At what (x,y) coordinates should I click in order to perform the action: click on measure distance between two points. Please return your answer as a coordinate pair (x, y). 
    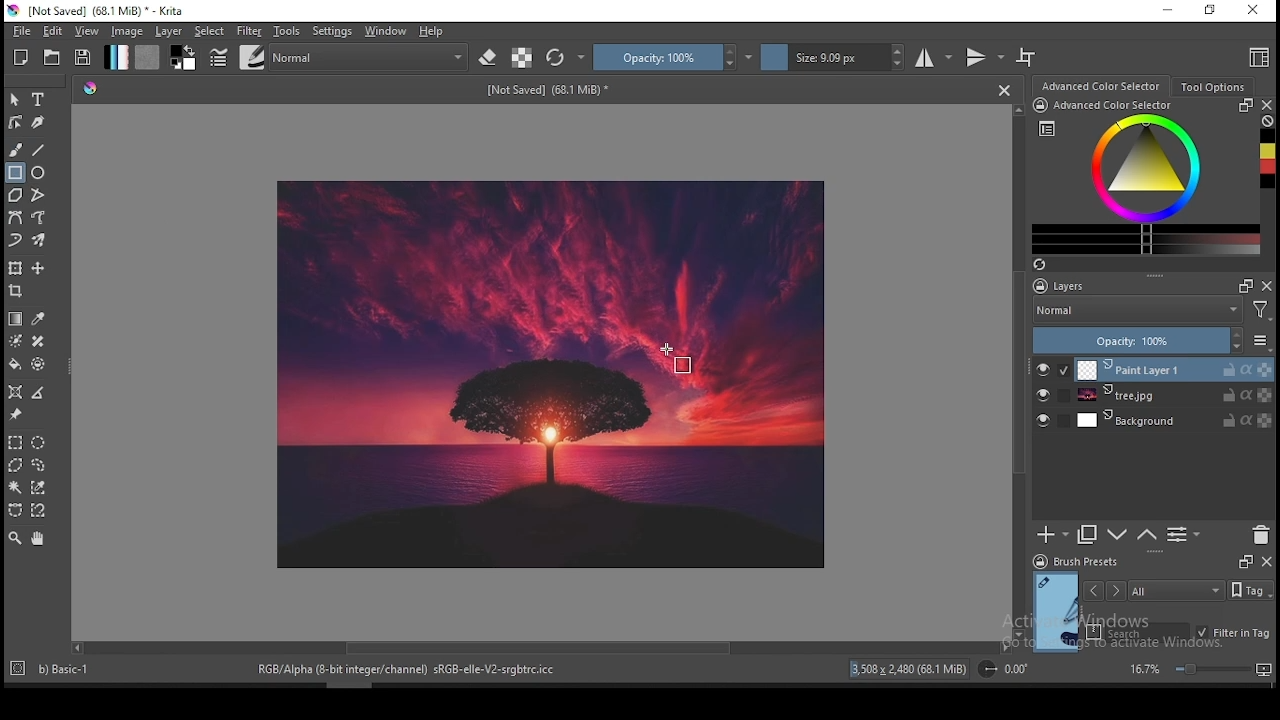
    Looking at the image, I should click on (40, 393).